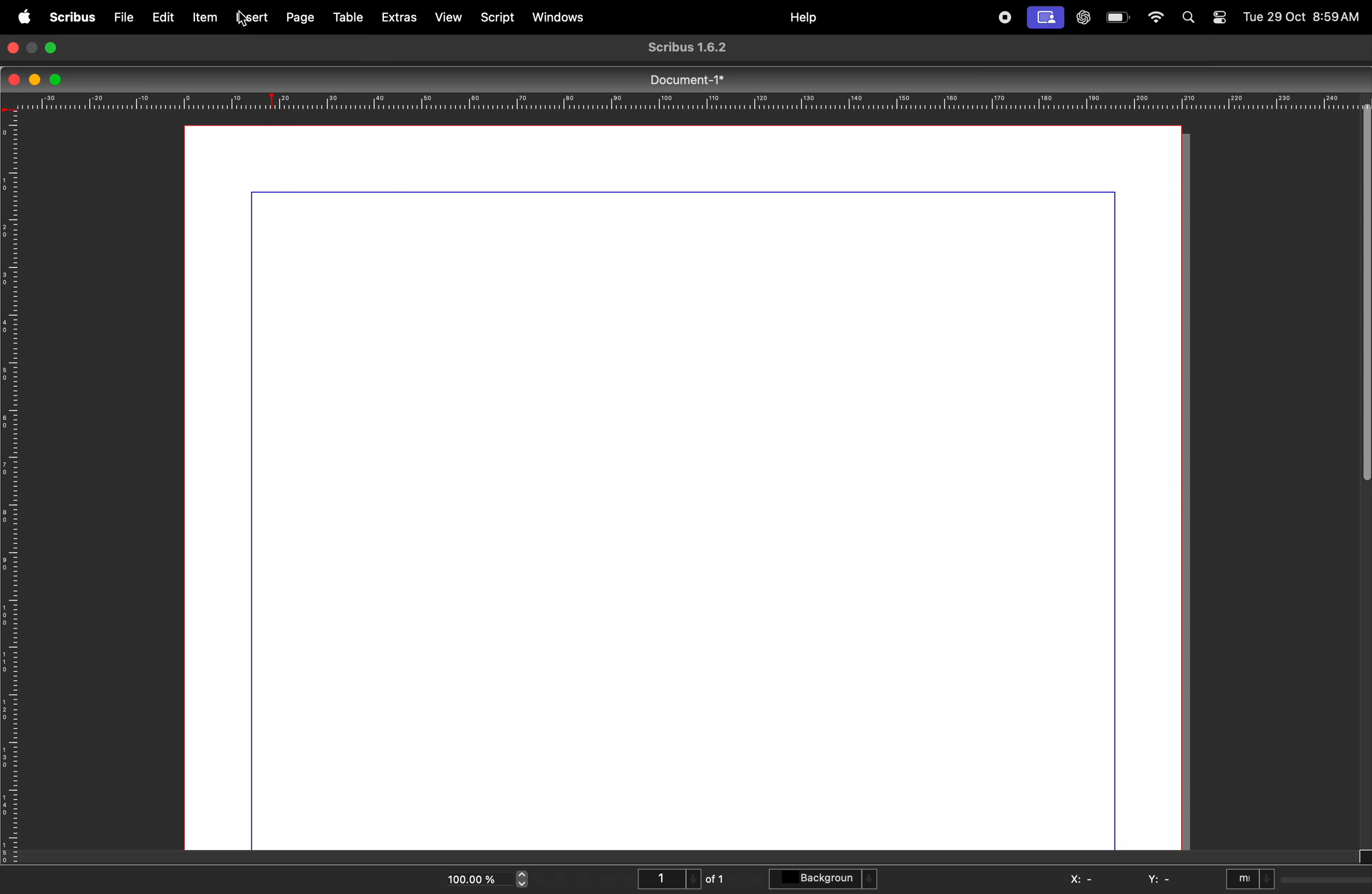 The width and height of the screenshot is (1372, 894). I want to click on script, so click(500, 16).